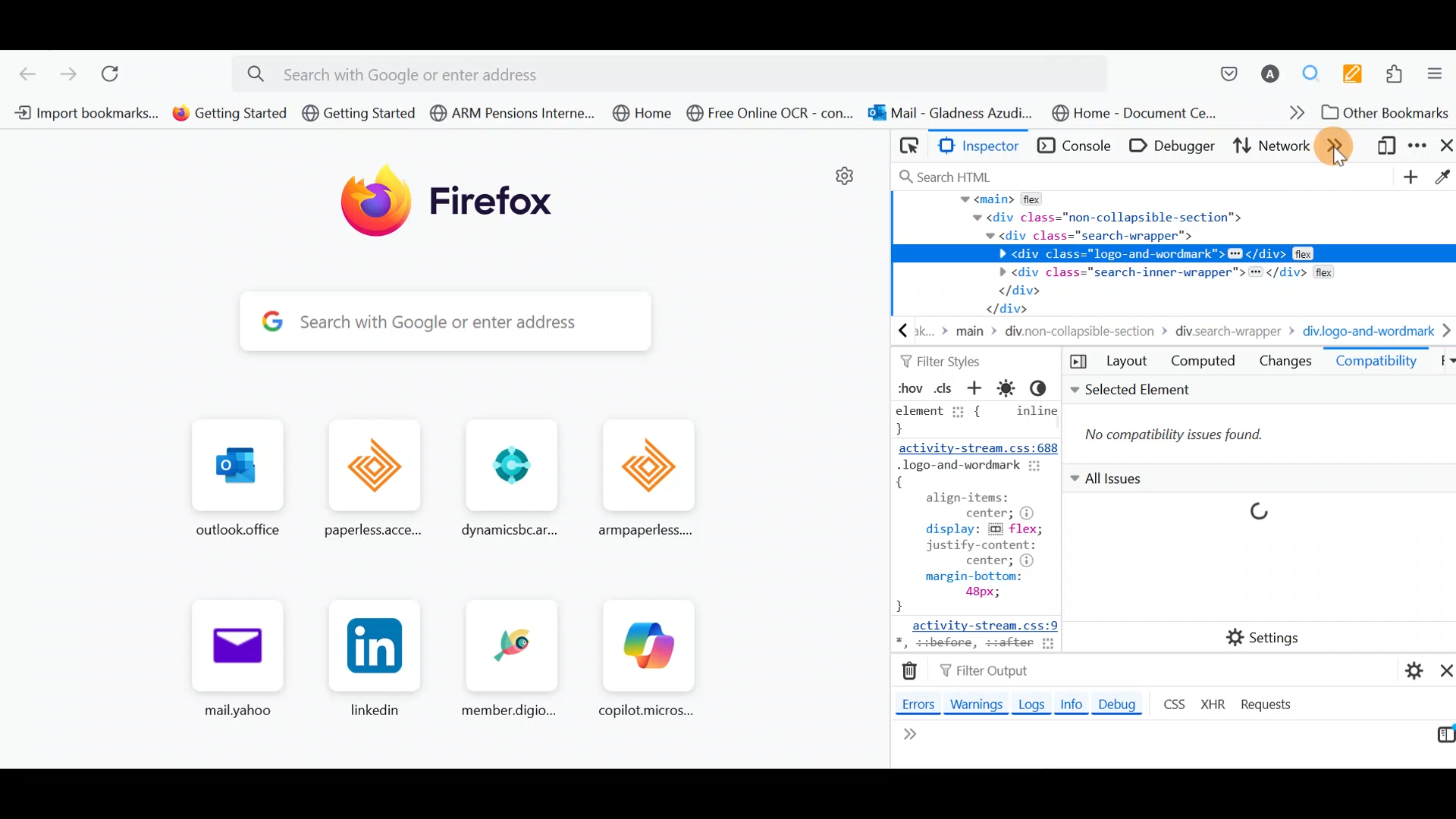 This screenshot has height=819, width=1456. Describe the element at coordinates (1442, 670) in the screenshot. I see `Close split console ` at that location.